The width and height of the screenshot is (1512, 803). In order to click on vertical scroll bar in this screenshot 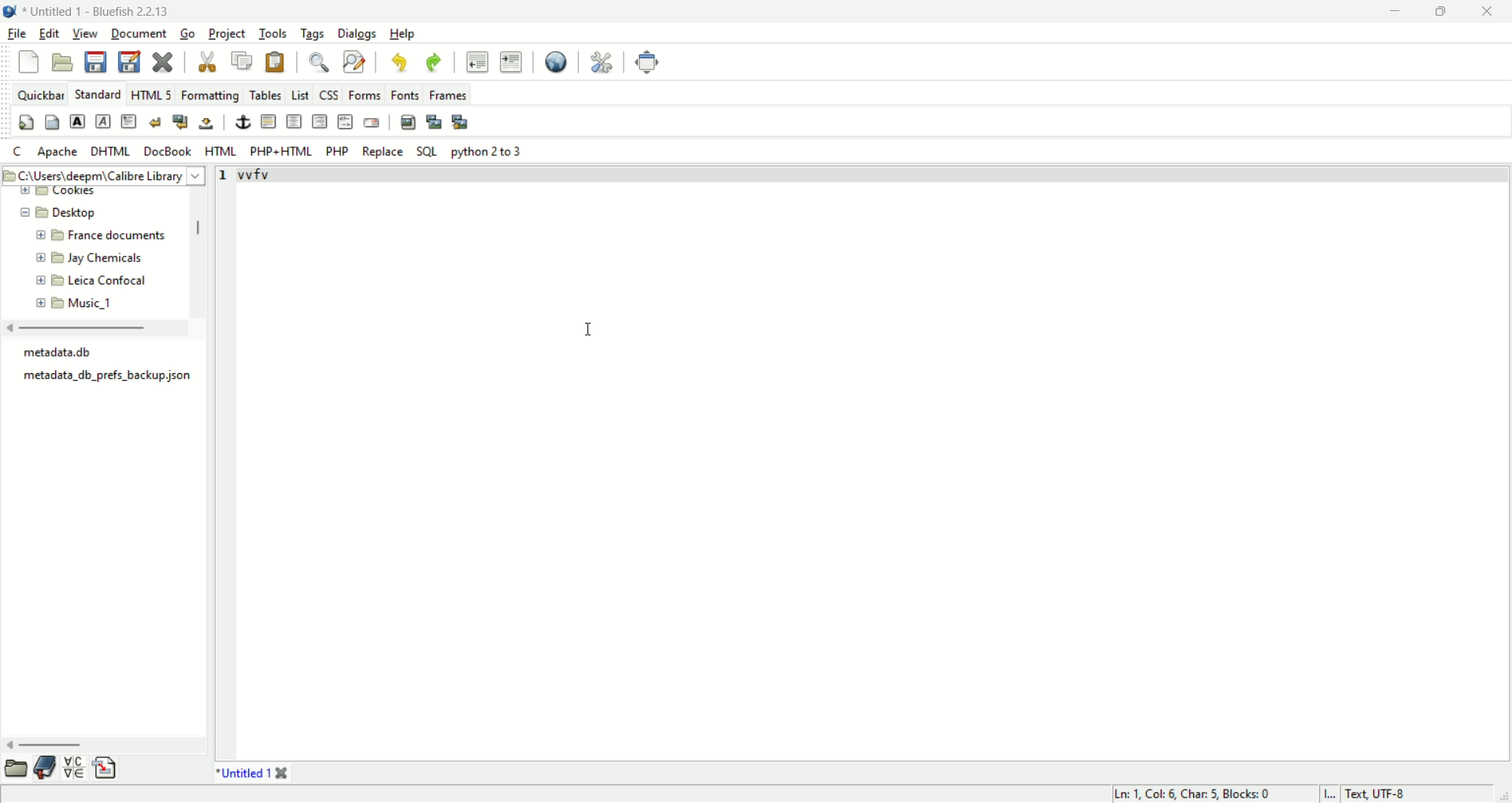, I will do `click(202, 231)`.